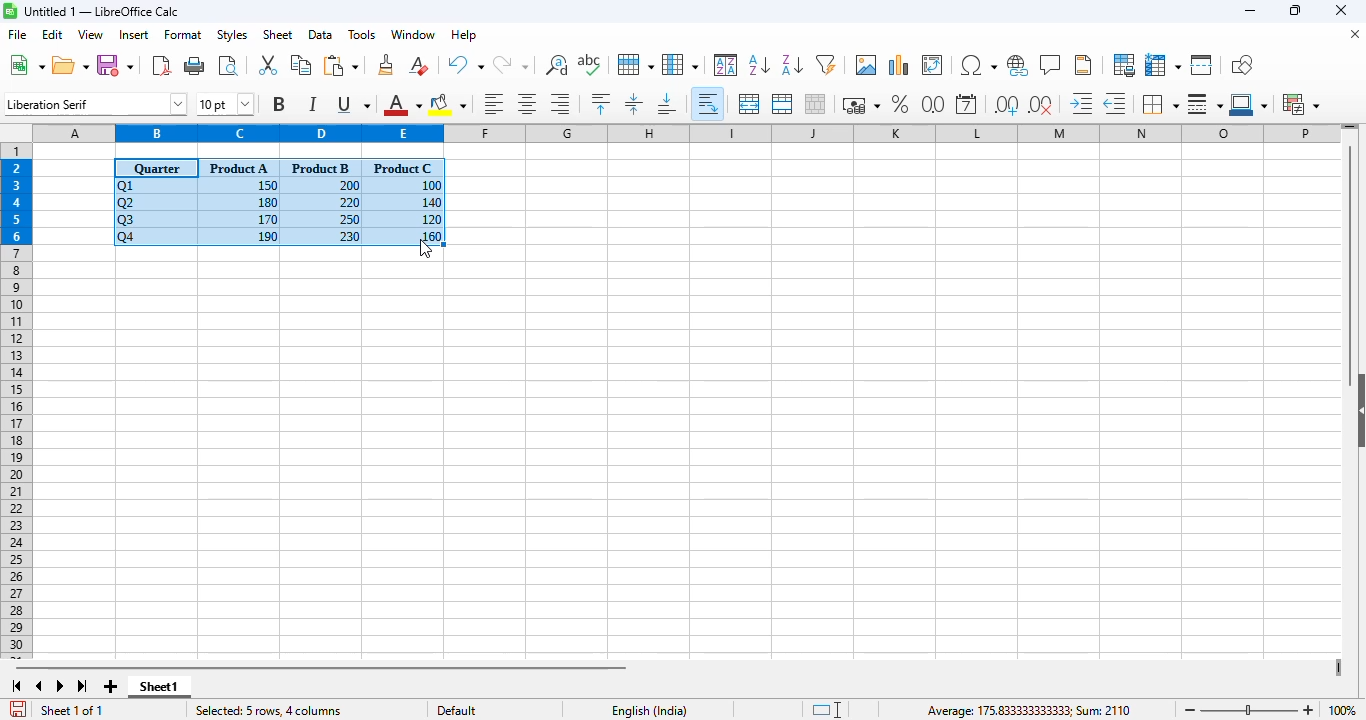 This screenshot has height=720, width=1366. What do you see at coordinates (1124, 65) in the screenshot?
I see `define print area` at bounding box center [1124, 65].